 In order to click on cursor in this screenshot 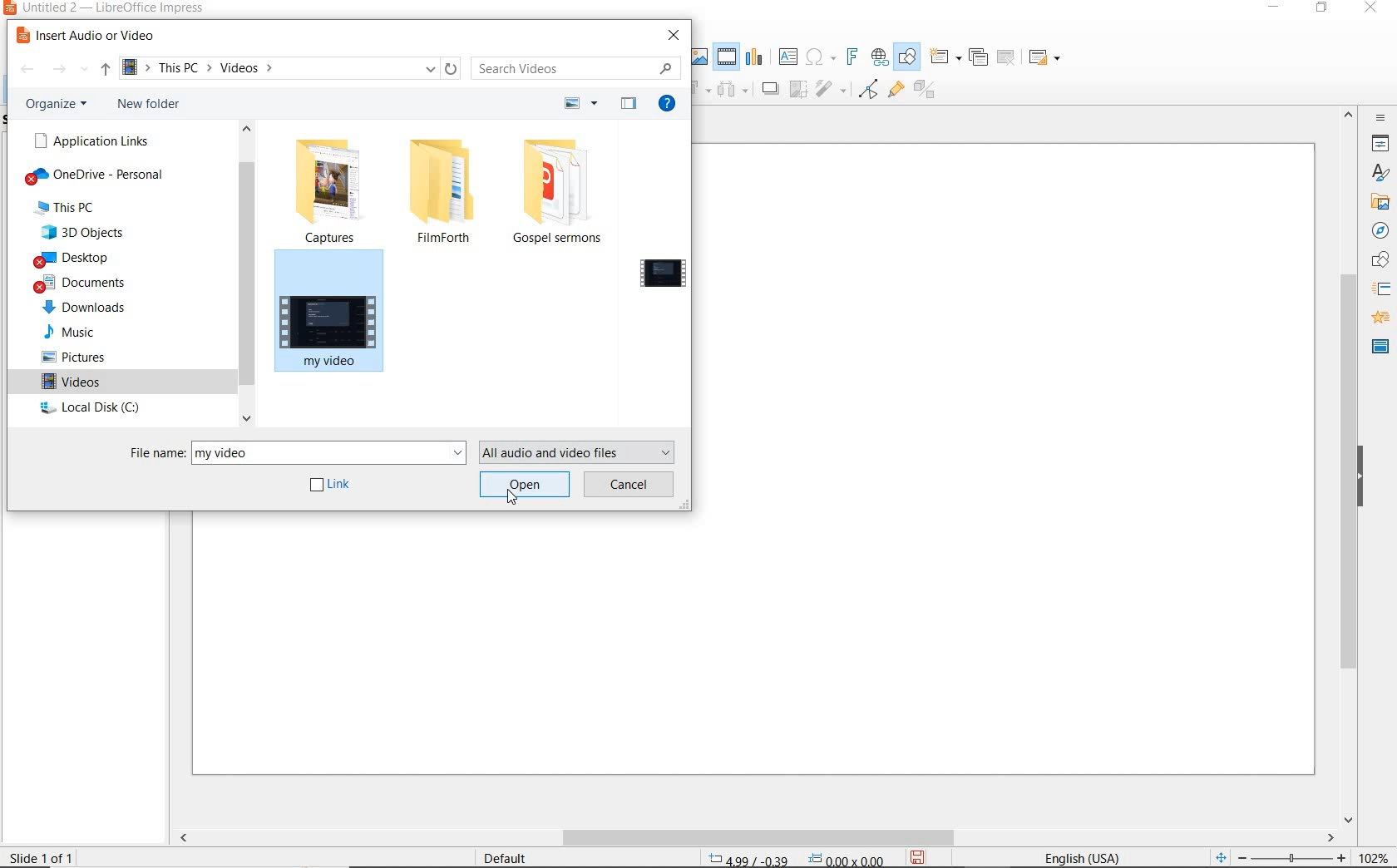, I will do `click(509, 496)`.